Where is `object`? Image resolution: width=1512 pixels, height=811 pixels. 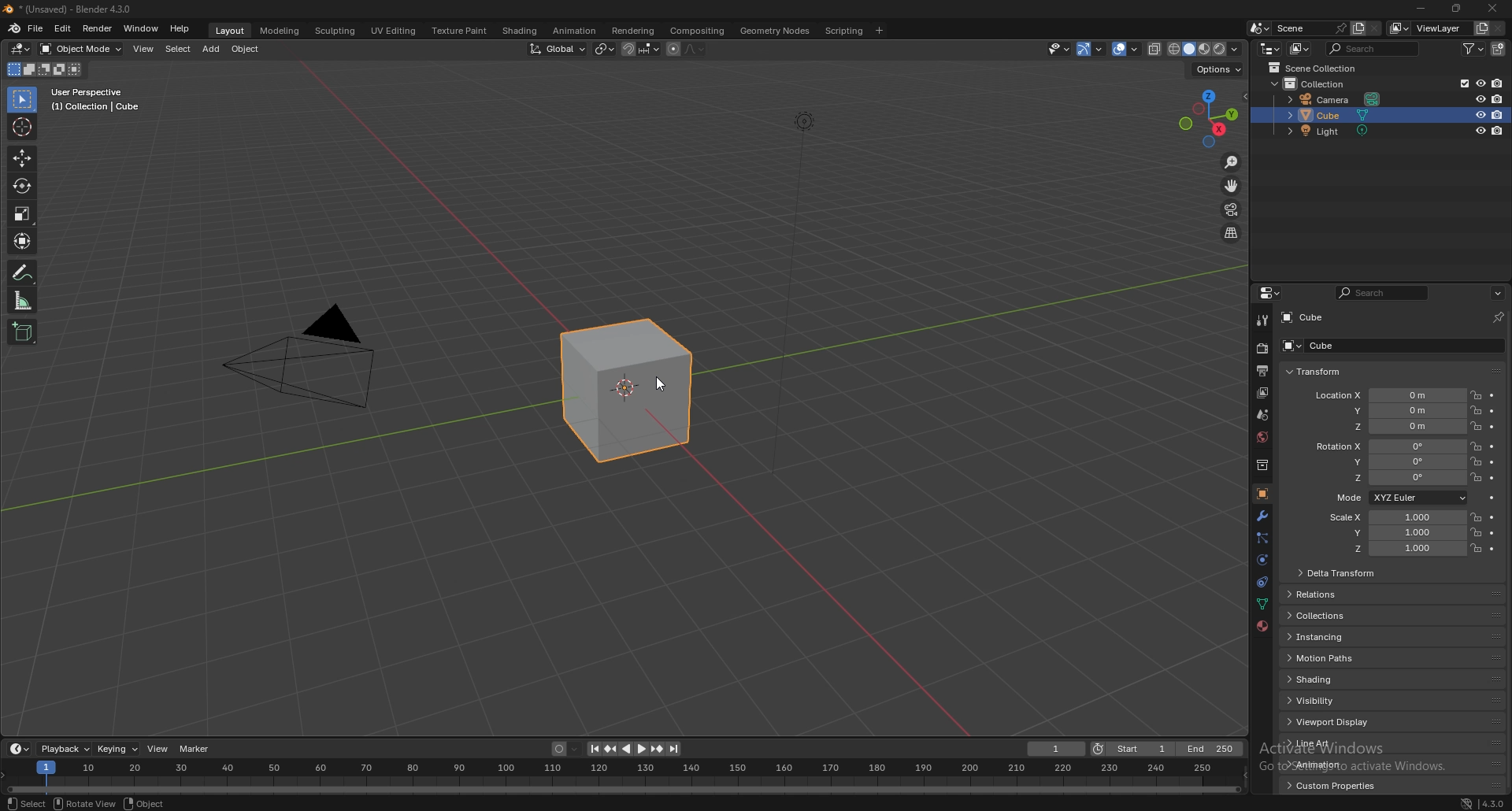
object is located at coordinates (145, 803).